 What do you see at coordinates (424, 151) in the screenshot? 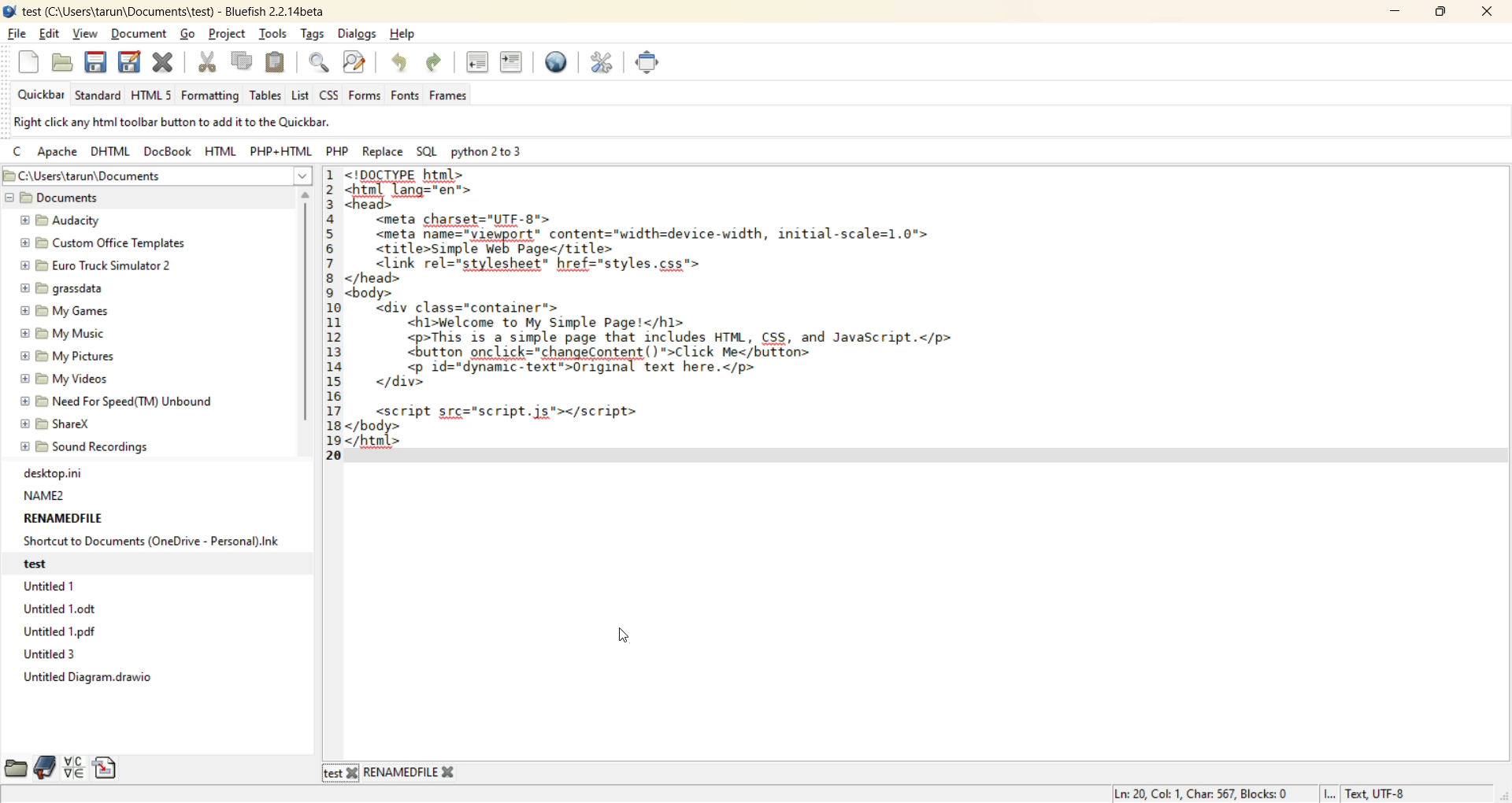
I see `sql` at bounding box center [424, 151].